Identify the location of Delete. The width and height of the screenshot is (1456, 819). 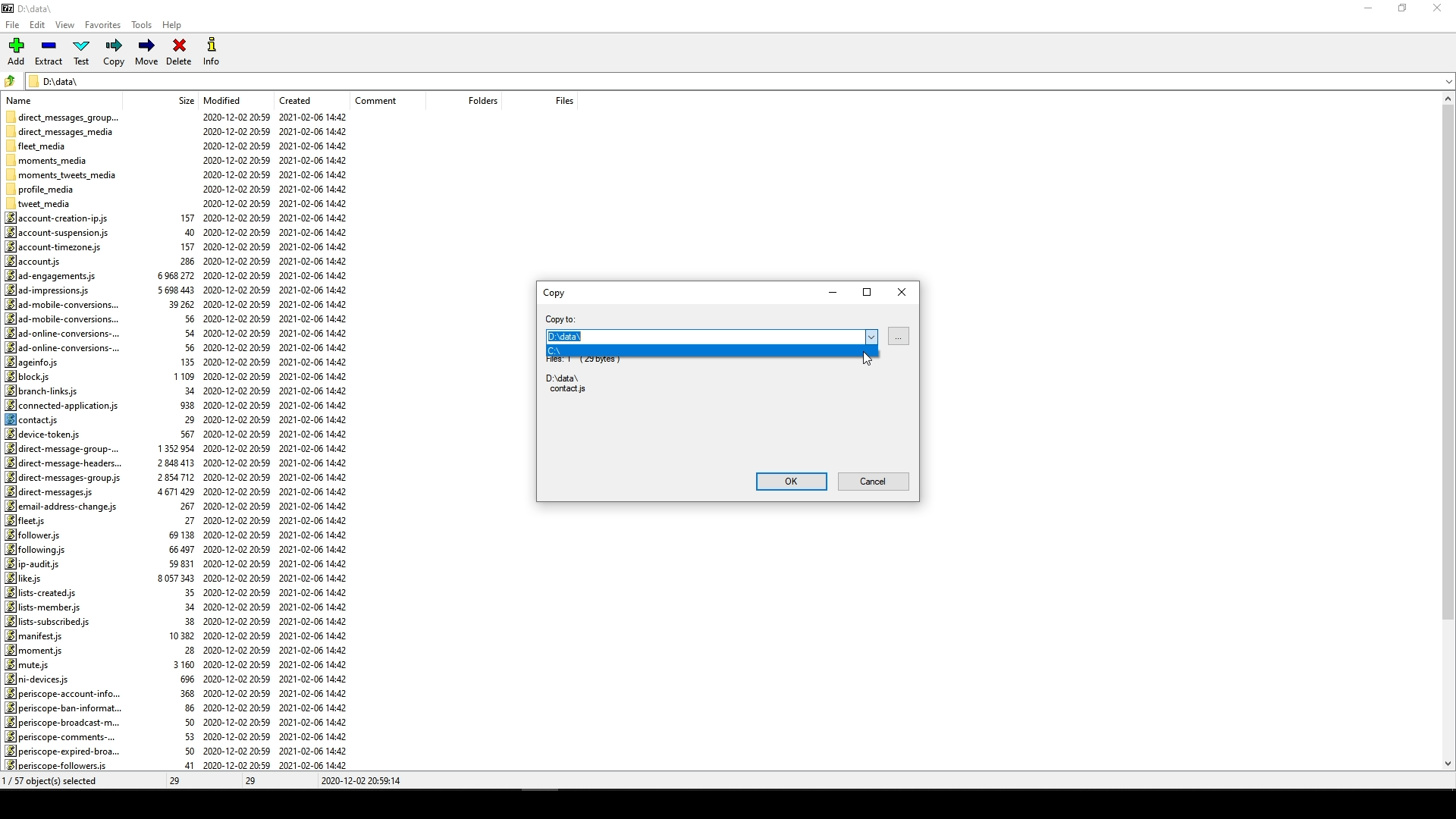
(178, 54).